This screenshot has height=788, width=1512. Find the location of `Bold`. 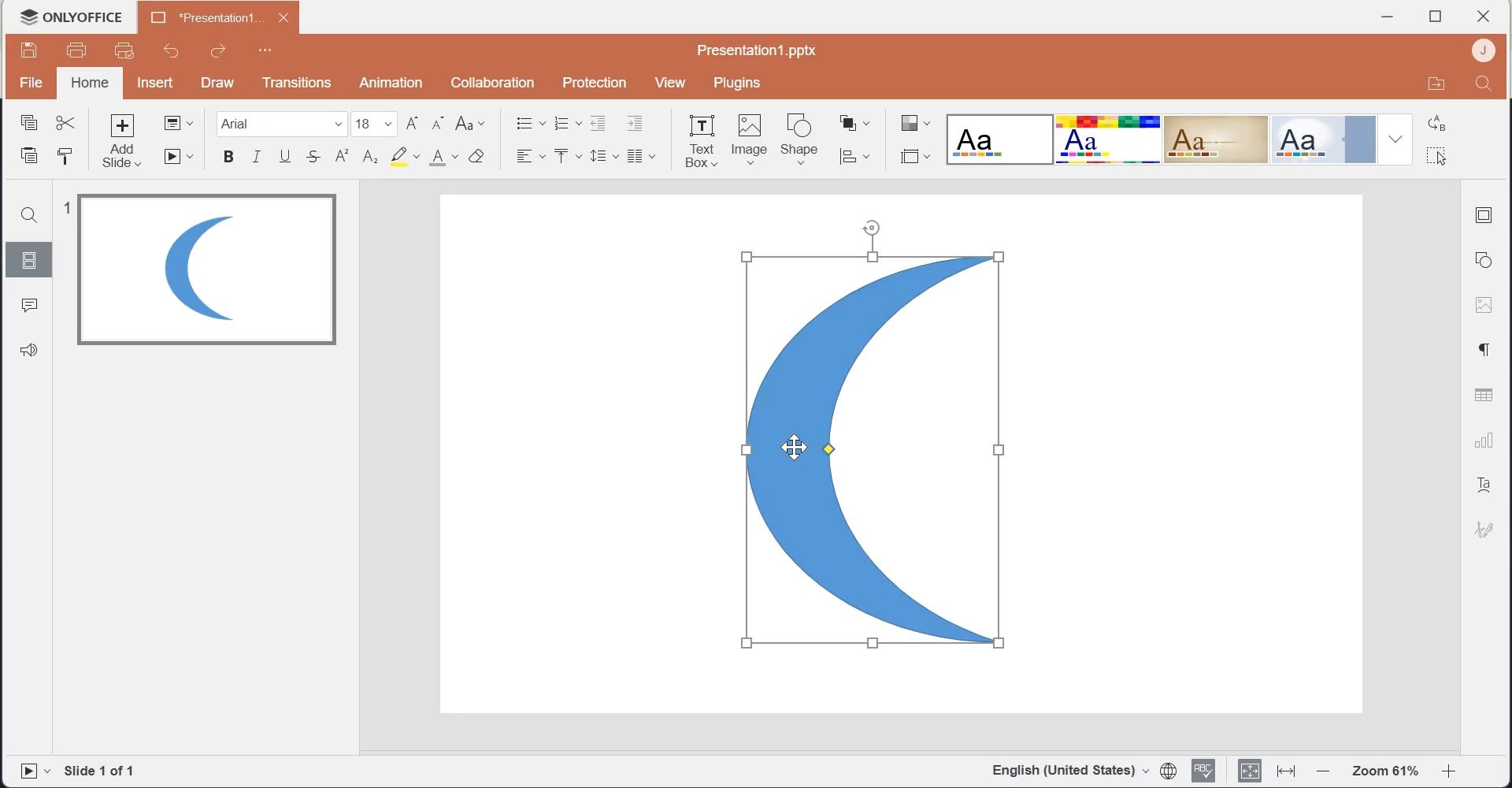

Bold is located at coordinates (229, 157).